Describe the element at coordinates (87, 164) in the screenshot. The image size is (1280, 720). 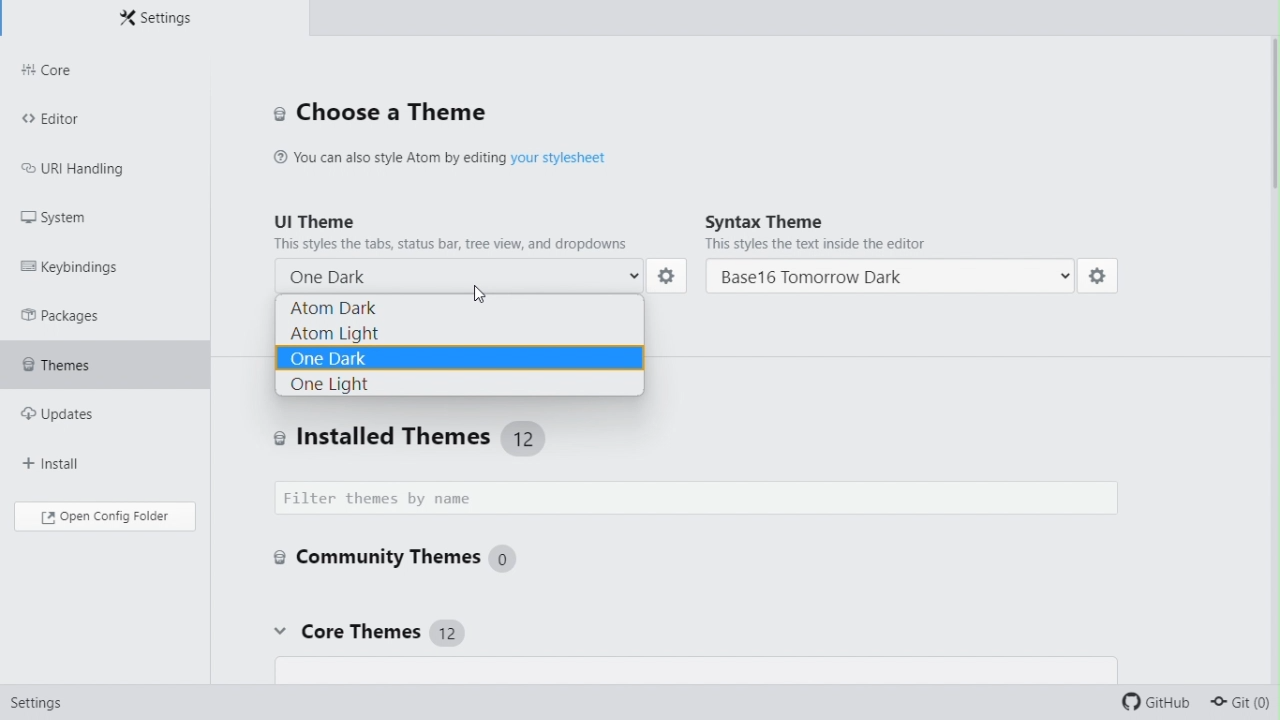
I see `URL handling` at that location.